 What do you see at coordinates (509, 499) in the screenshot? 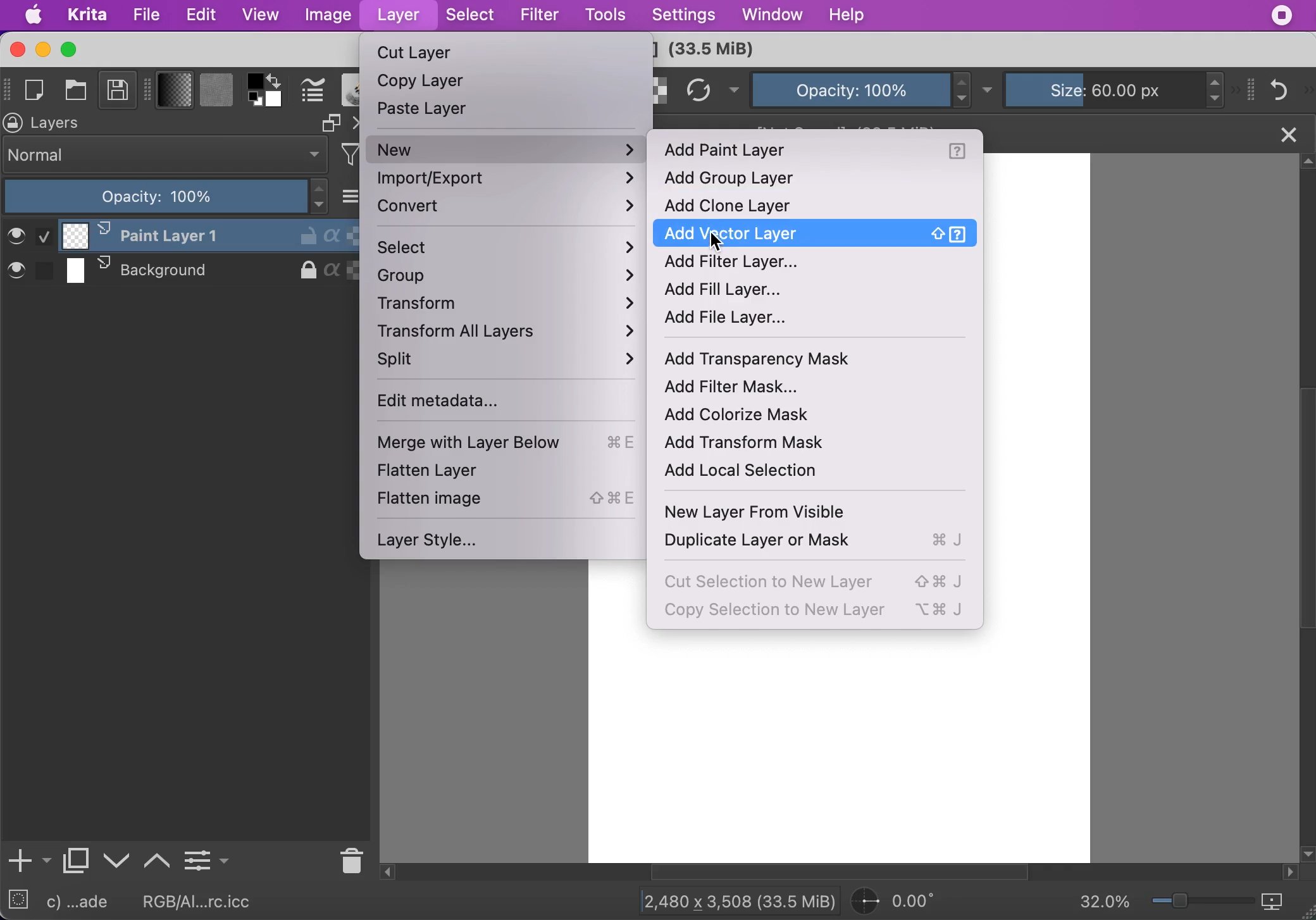
I see `flatten image` at bounding box center [509, 499].